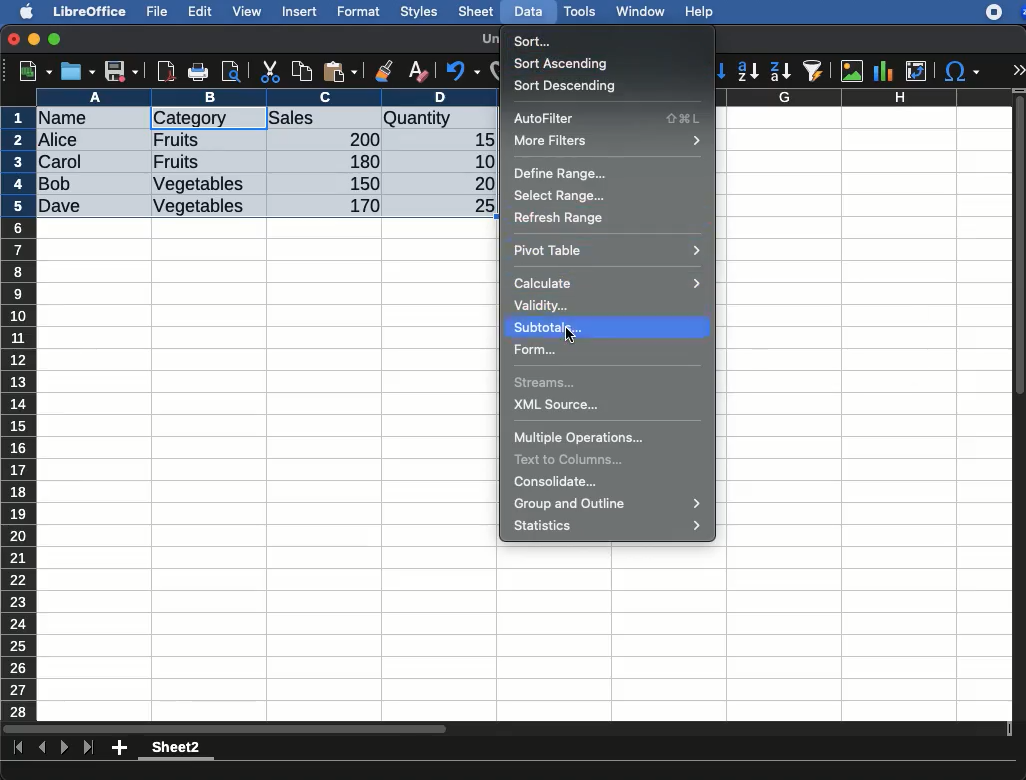 This screenshot has height=780, width=1026. Describe the element at coordinates (573, 459) in the screenshot. I see `text to columns` at that location.